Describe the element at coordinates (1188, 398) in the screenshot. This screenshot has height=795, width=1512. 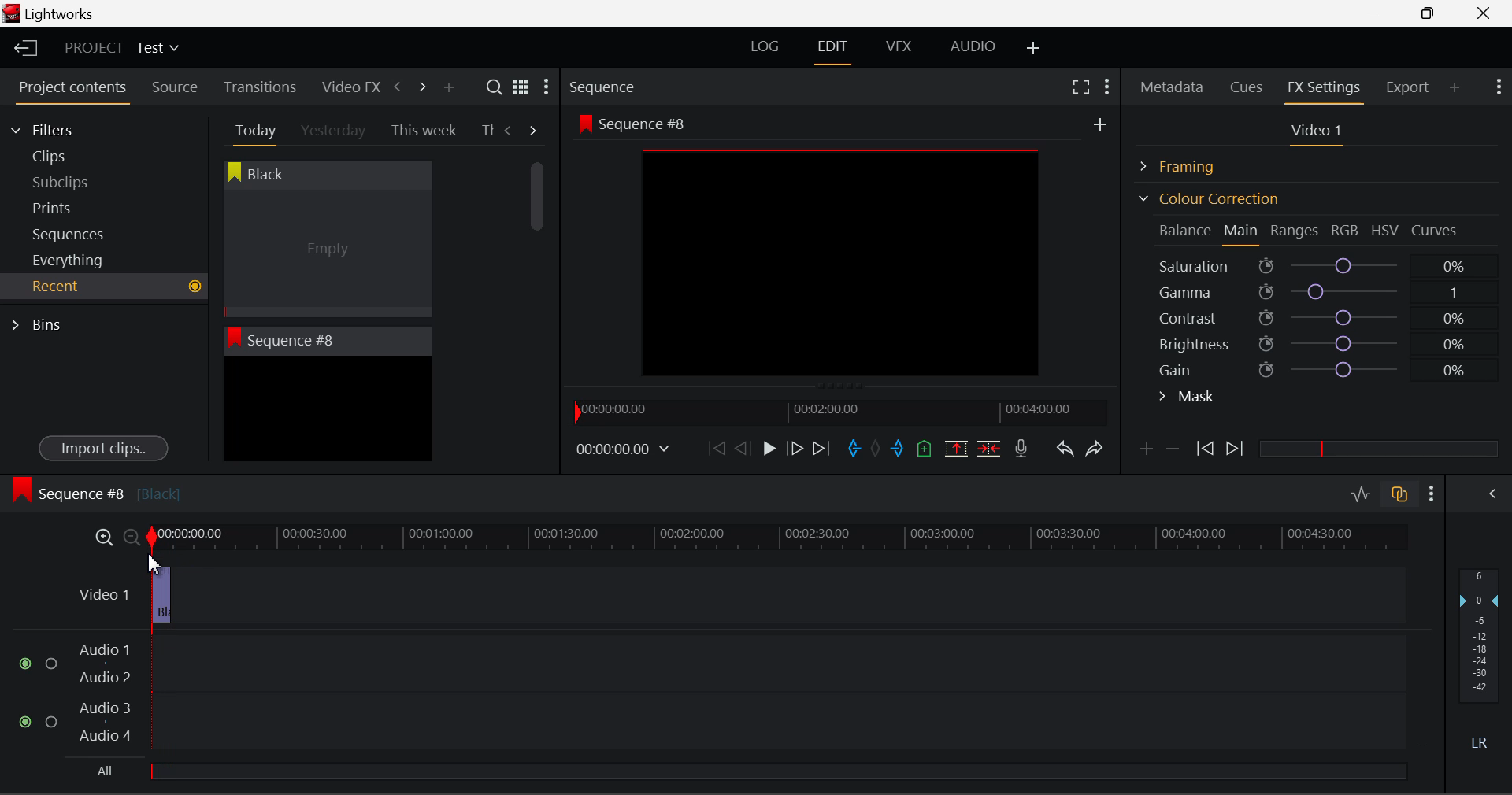
I see `Mask` at that location.